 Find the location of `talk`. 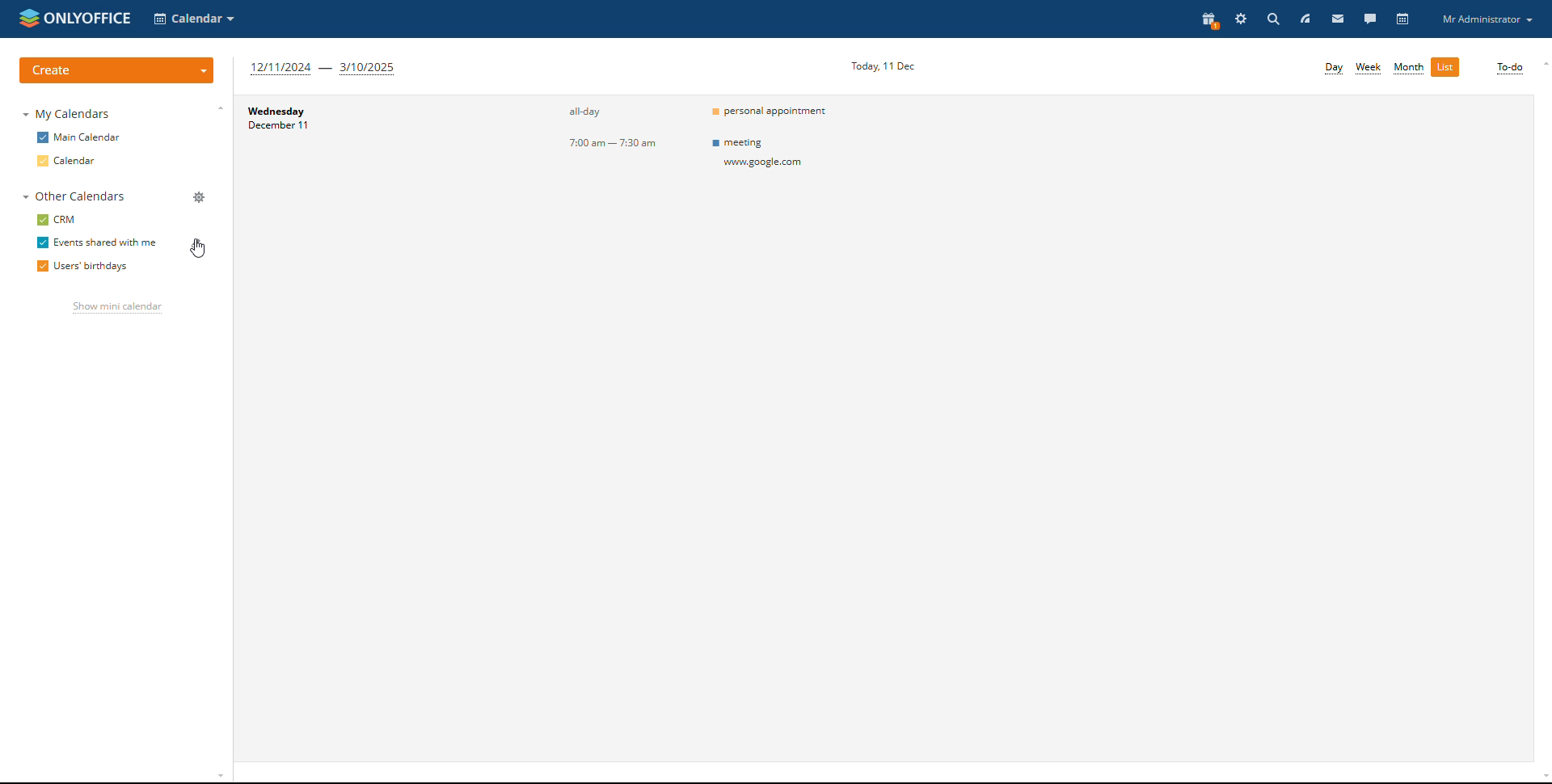

talk is located at coordinates (1369, 19).